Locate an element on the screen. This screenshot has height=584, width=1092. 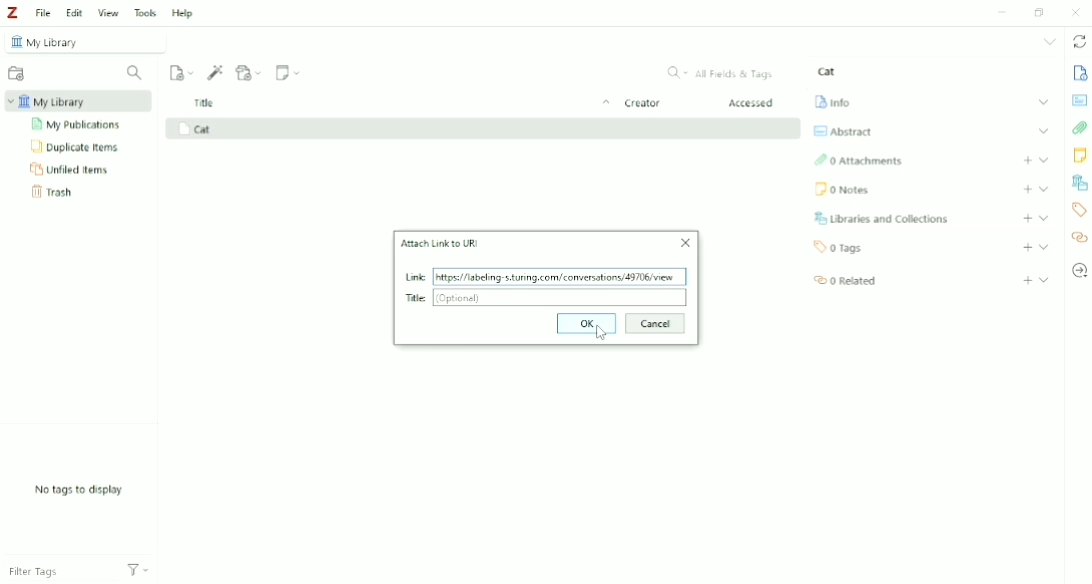
Link added is located at coordinates (412, 275).